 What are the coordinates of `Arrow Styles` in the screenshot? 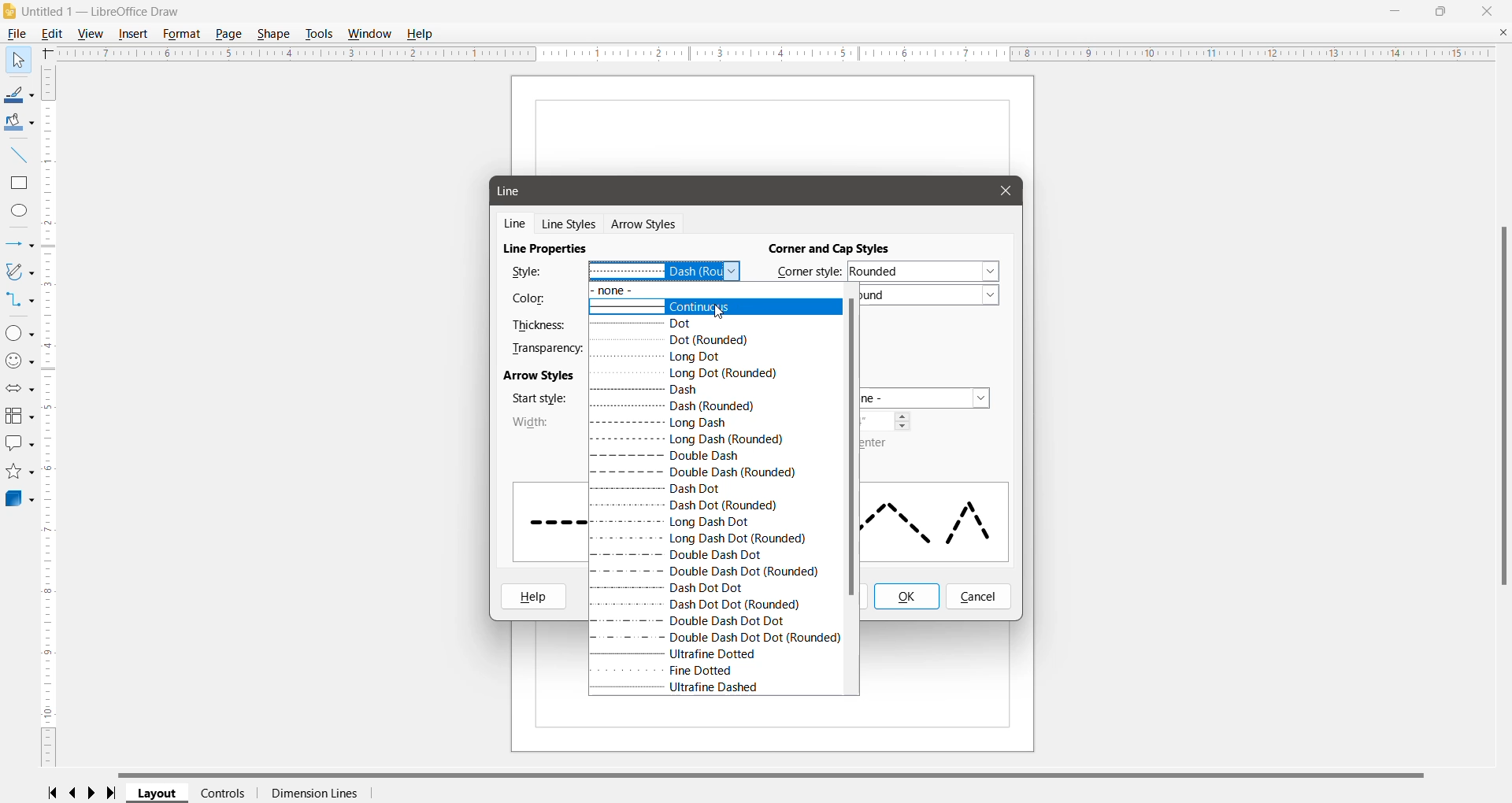 It's located at (645, 225).